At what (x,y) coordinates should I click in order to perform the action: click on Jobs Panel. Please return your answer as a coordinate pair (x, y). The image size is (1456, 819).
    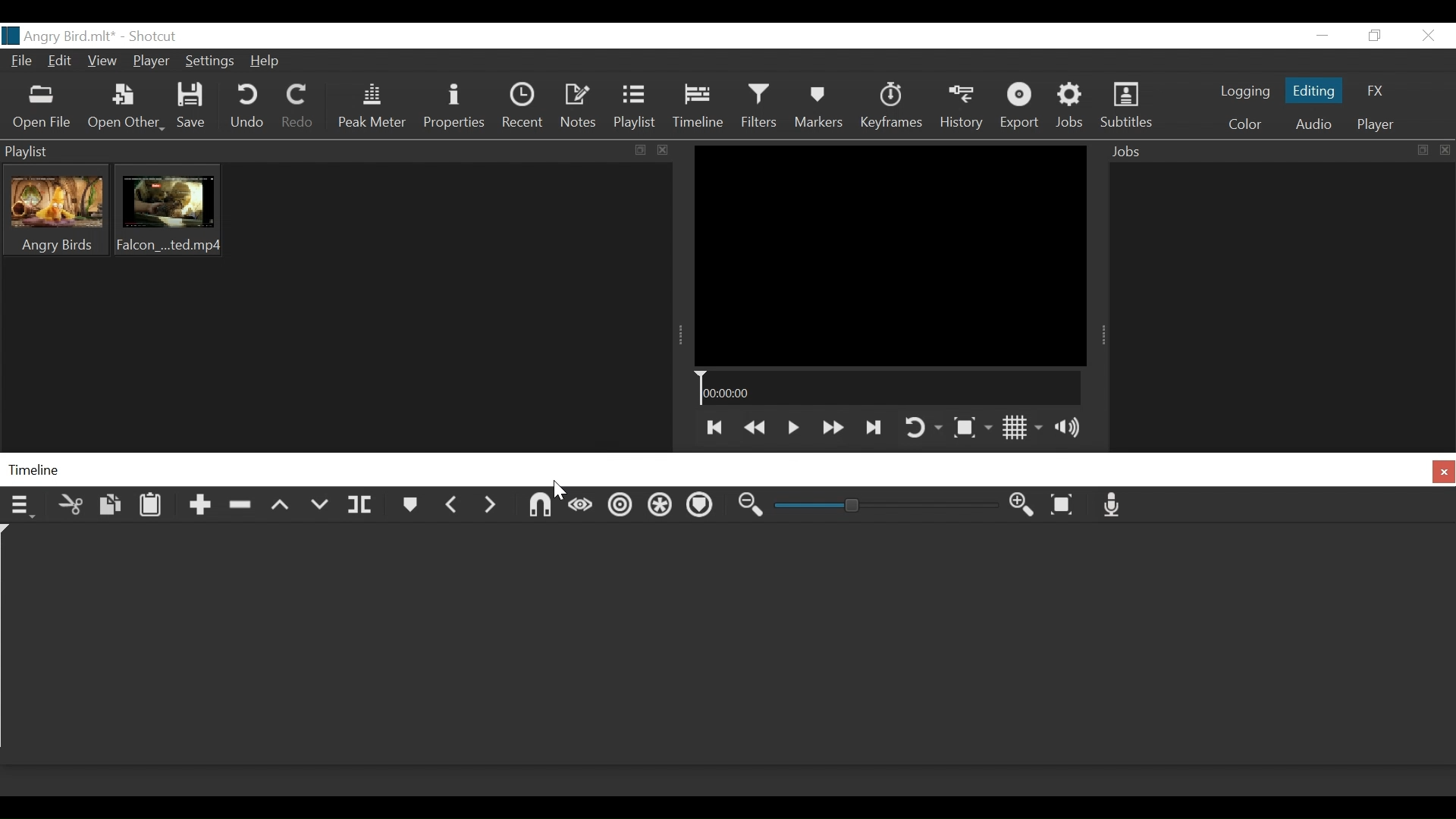
    Looking at the image, I should click on (1281, 303).